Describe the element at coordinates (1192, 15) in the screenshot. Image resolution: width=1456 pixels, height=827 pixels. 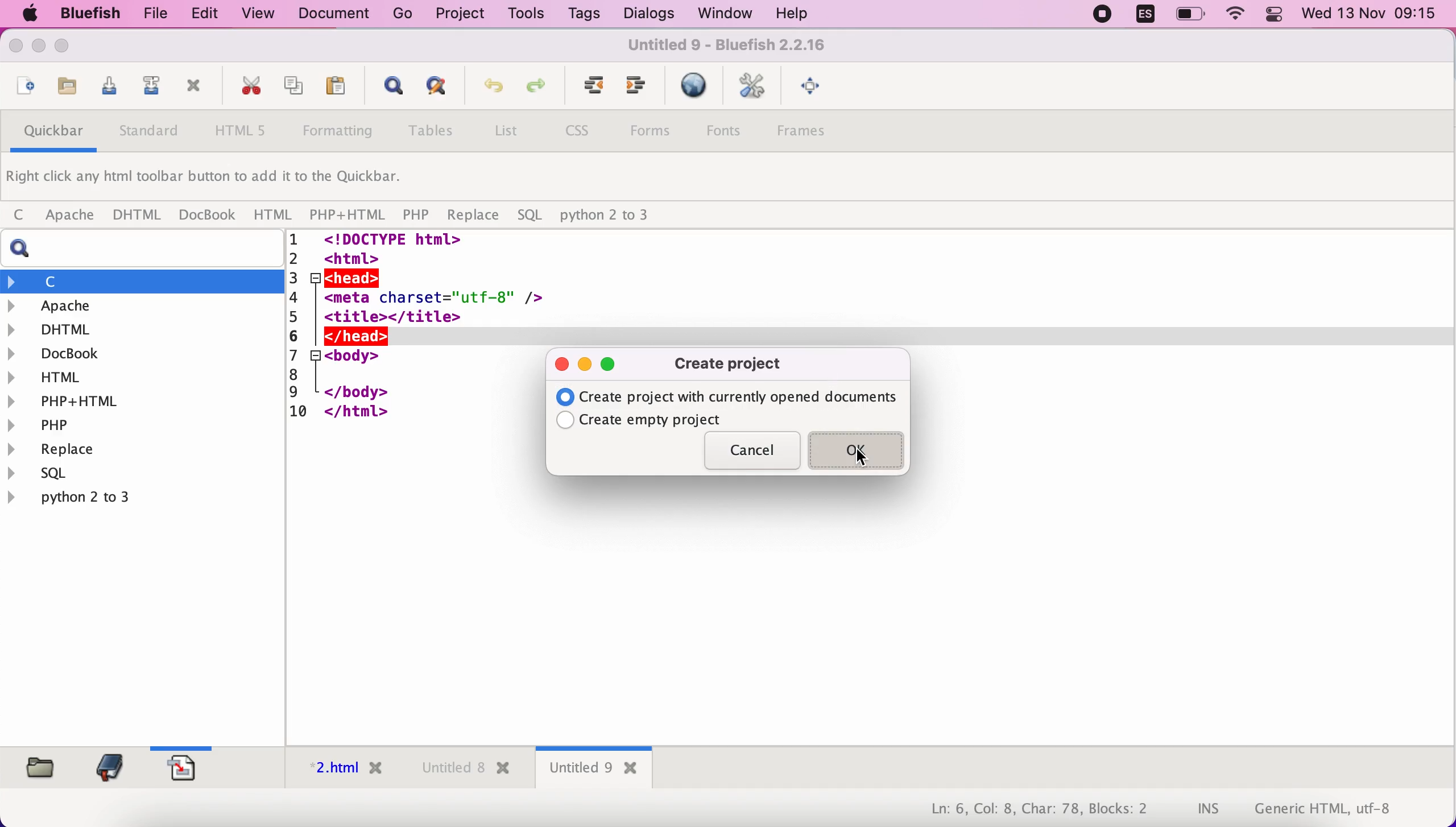
I see `battery` at that location.